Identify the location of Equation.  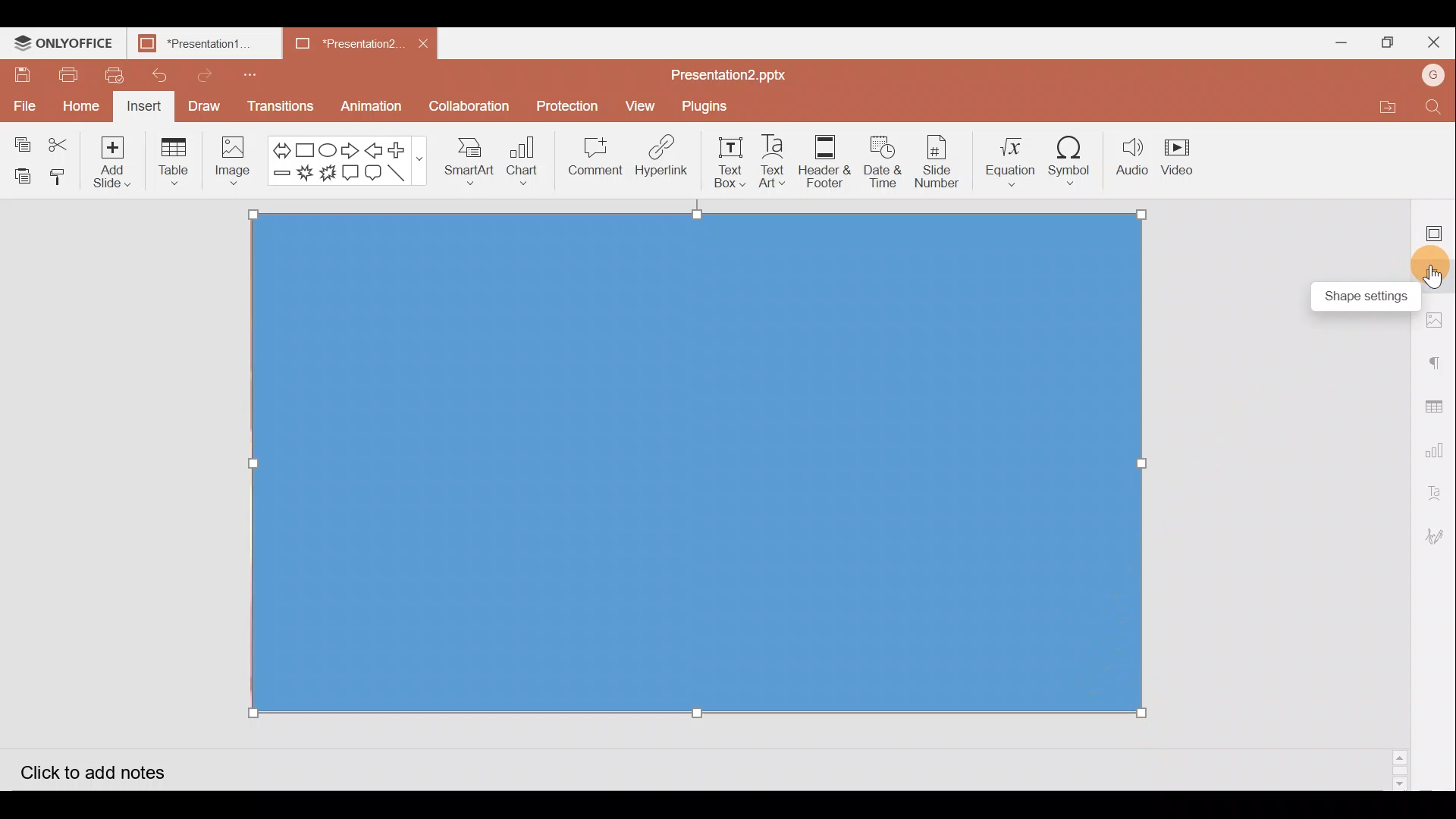
(1010, 158).